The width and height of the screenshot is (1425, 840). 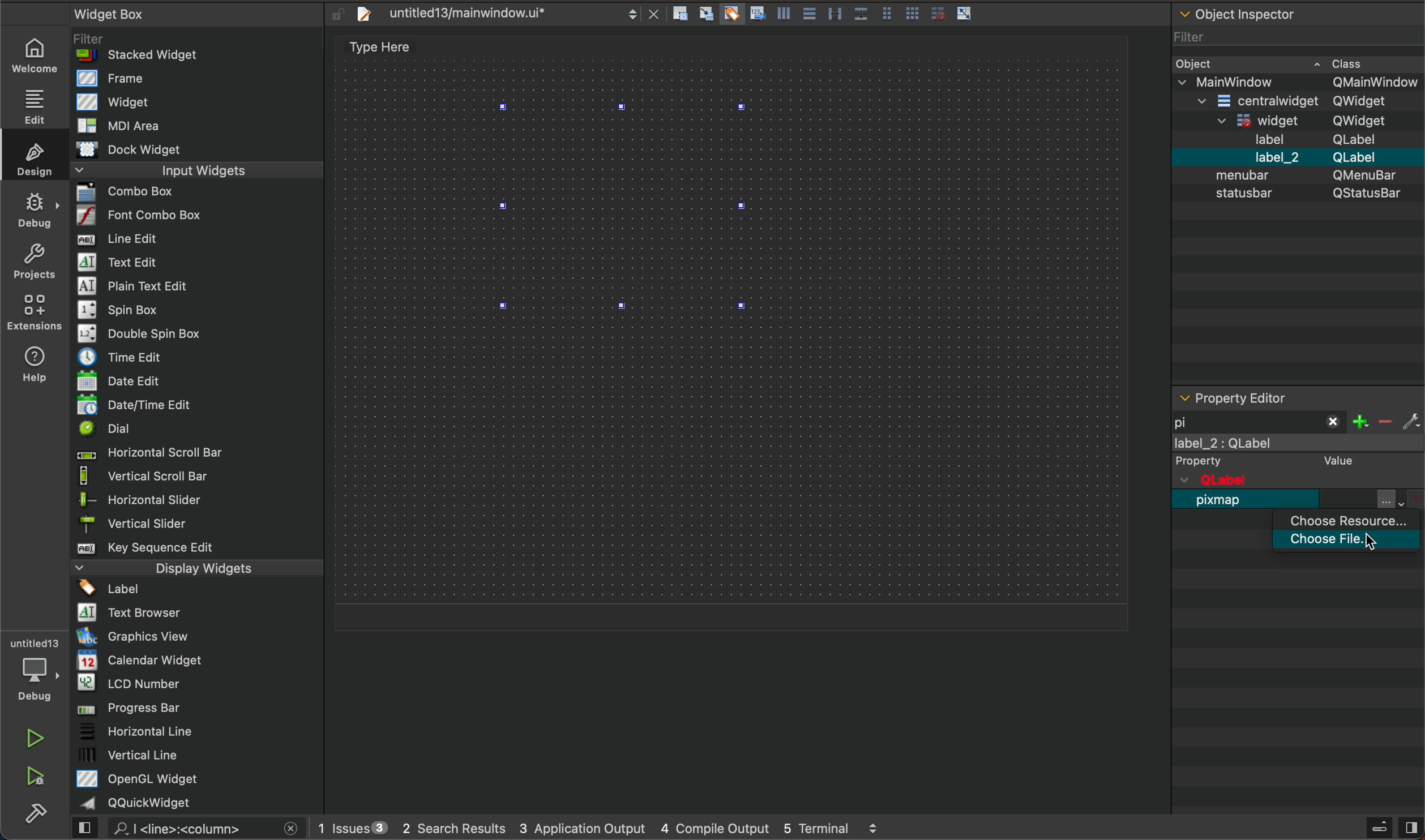 What do you see at coordinates (202, 408) in the screenshot?
I see `widget box` at bounding box center [202, 408].